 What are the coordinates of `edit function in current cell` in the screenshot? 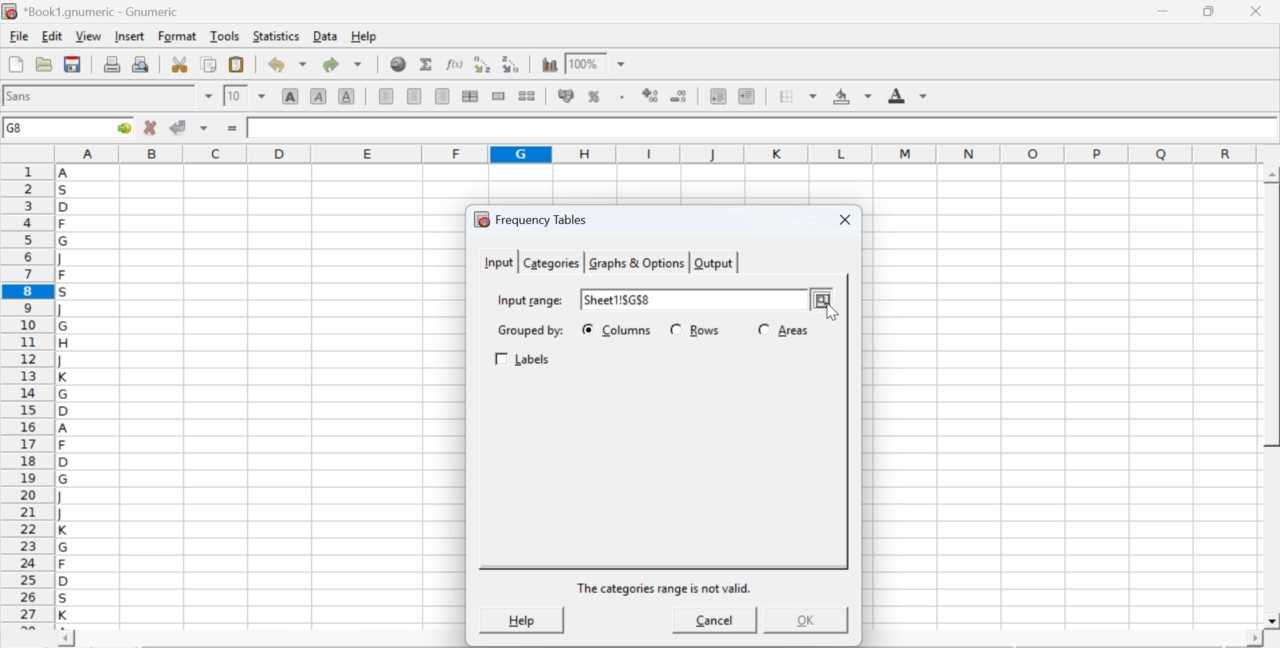 It's located at (456, 63).